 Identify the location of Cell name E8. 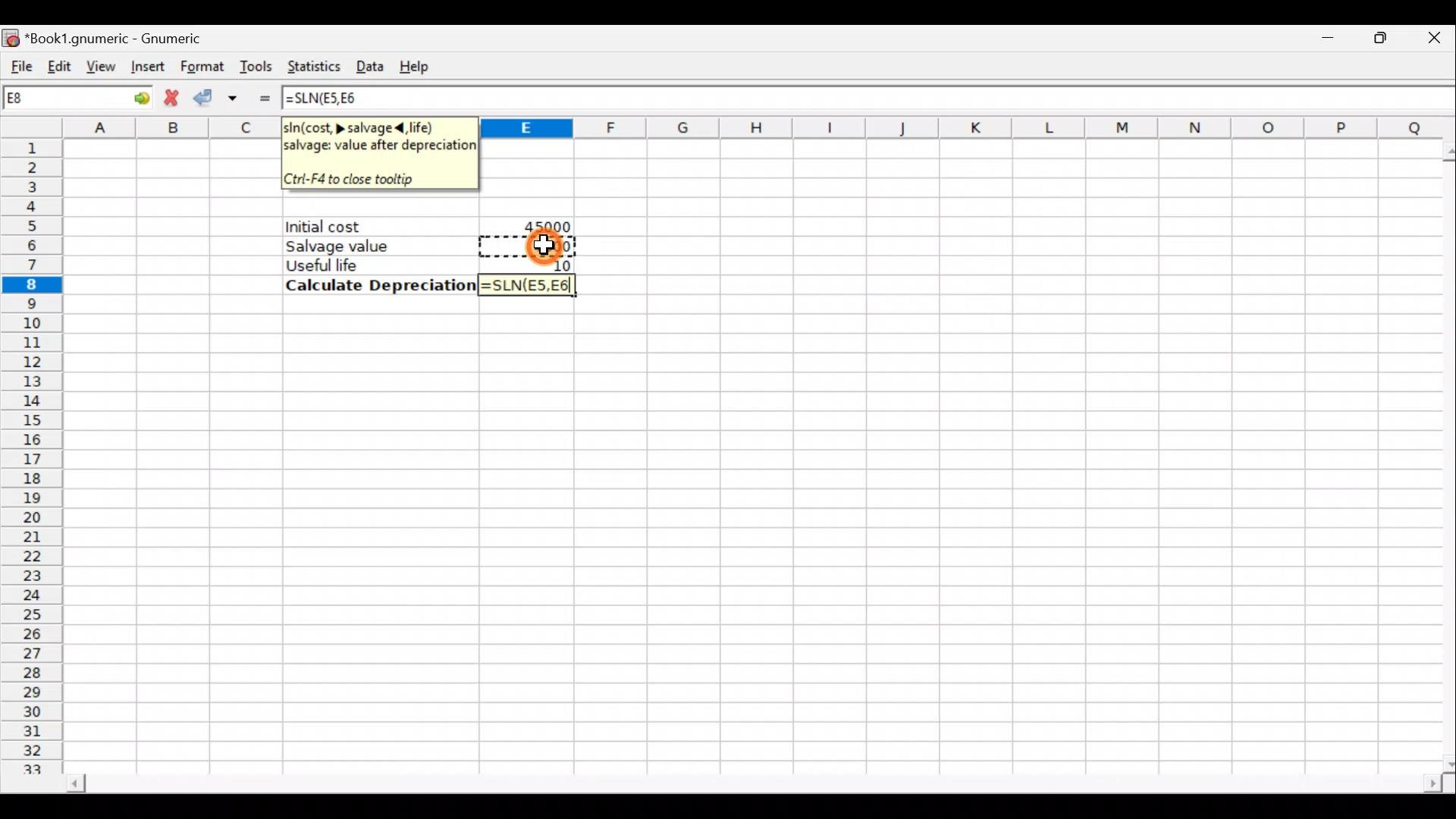
(51, 101).